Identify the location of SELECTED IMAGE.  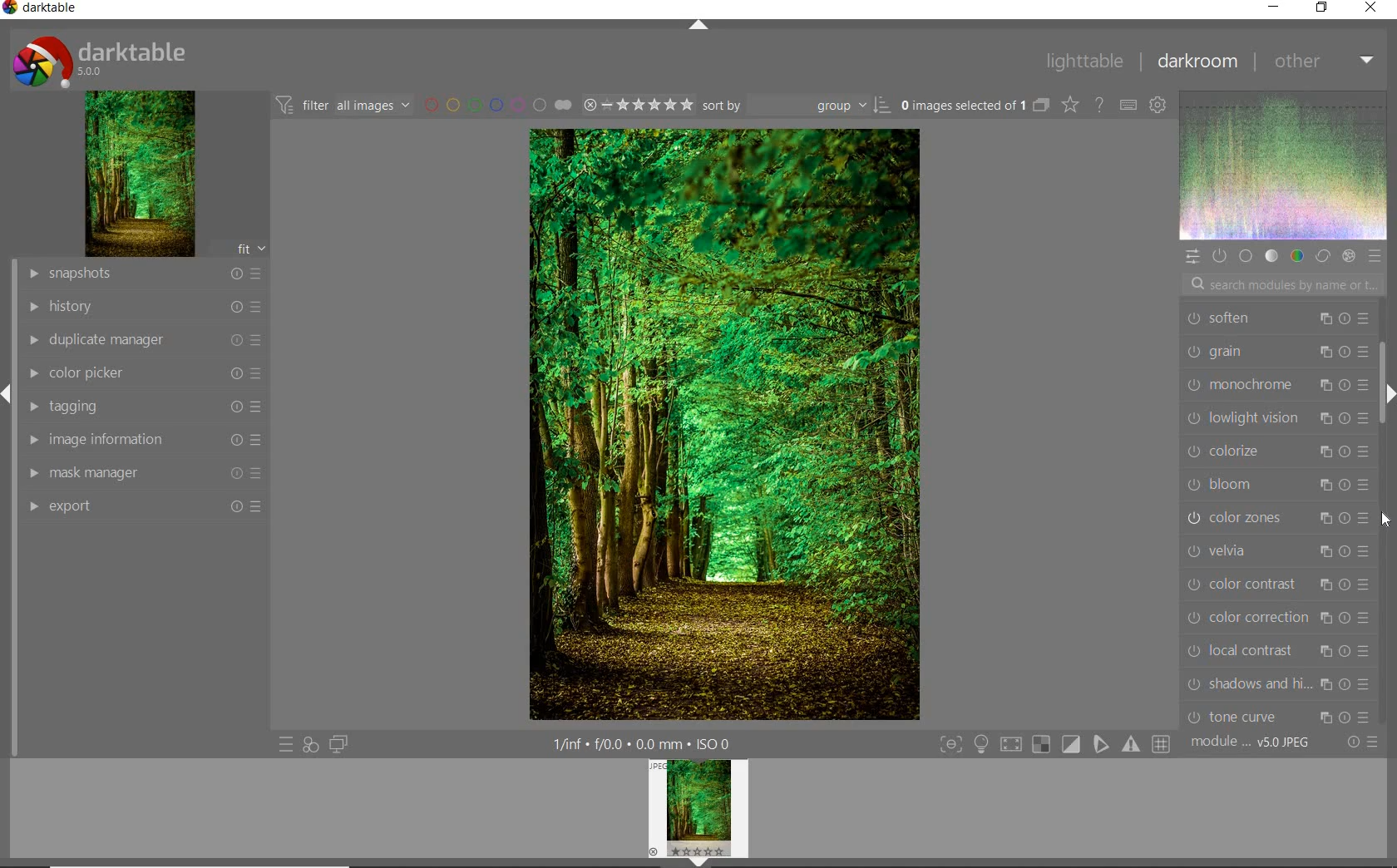
(726, 423).